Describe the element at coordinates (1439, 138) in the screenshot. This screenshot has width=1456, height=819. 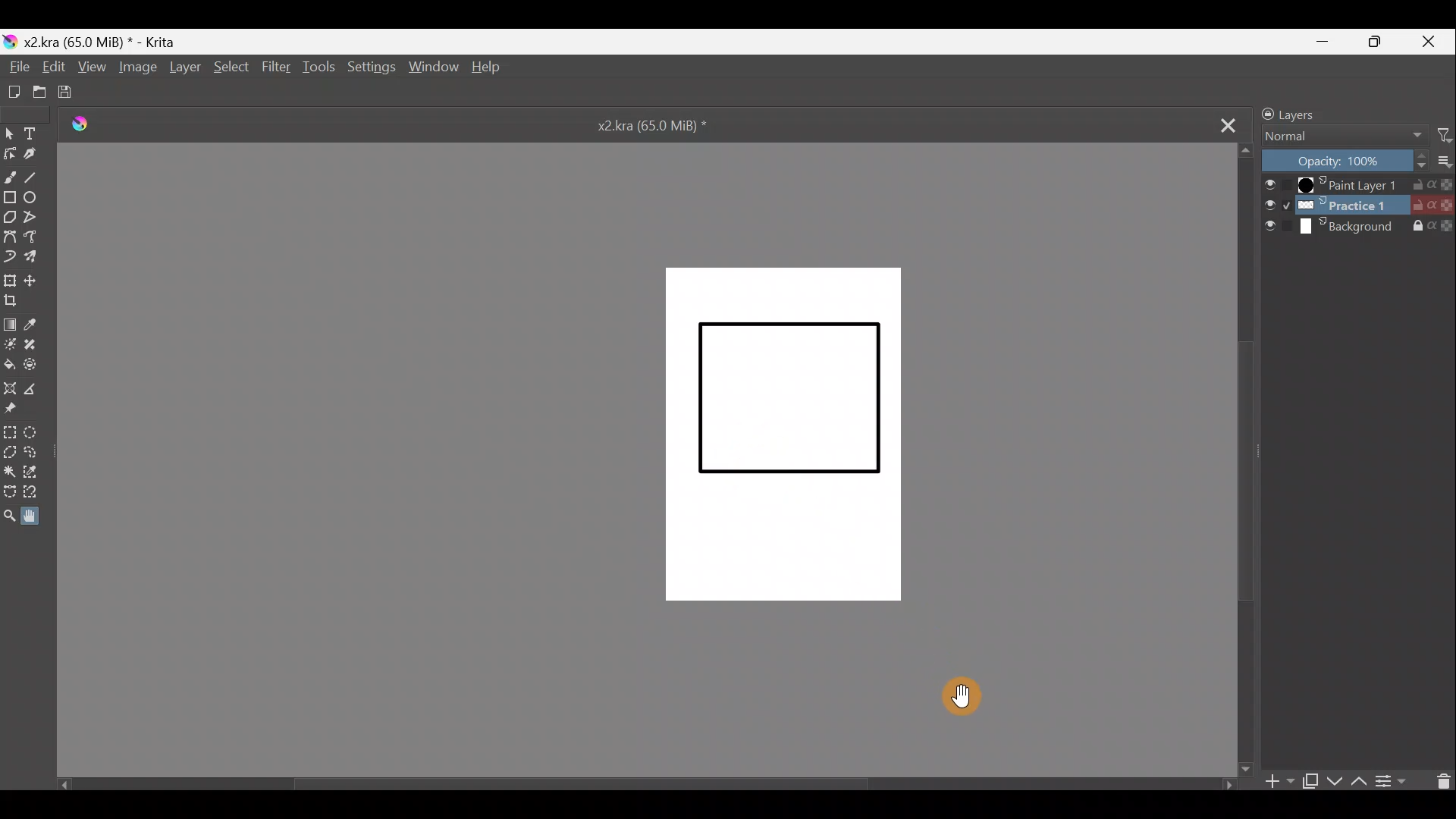
I see `Filter` at that location.